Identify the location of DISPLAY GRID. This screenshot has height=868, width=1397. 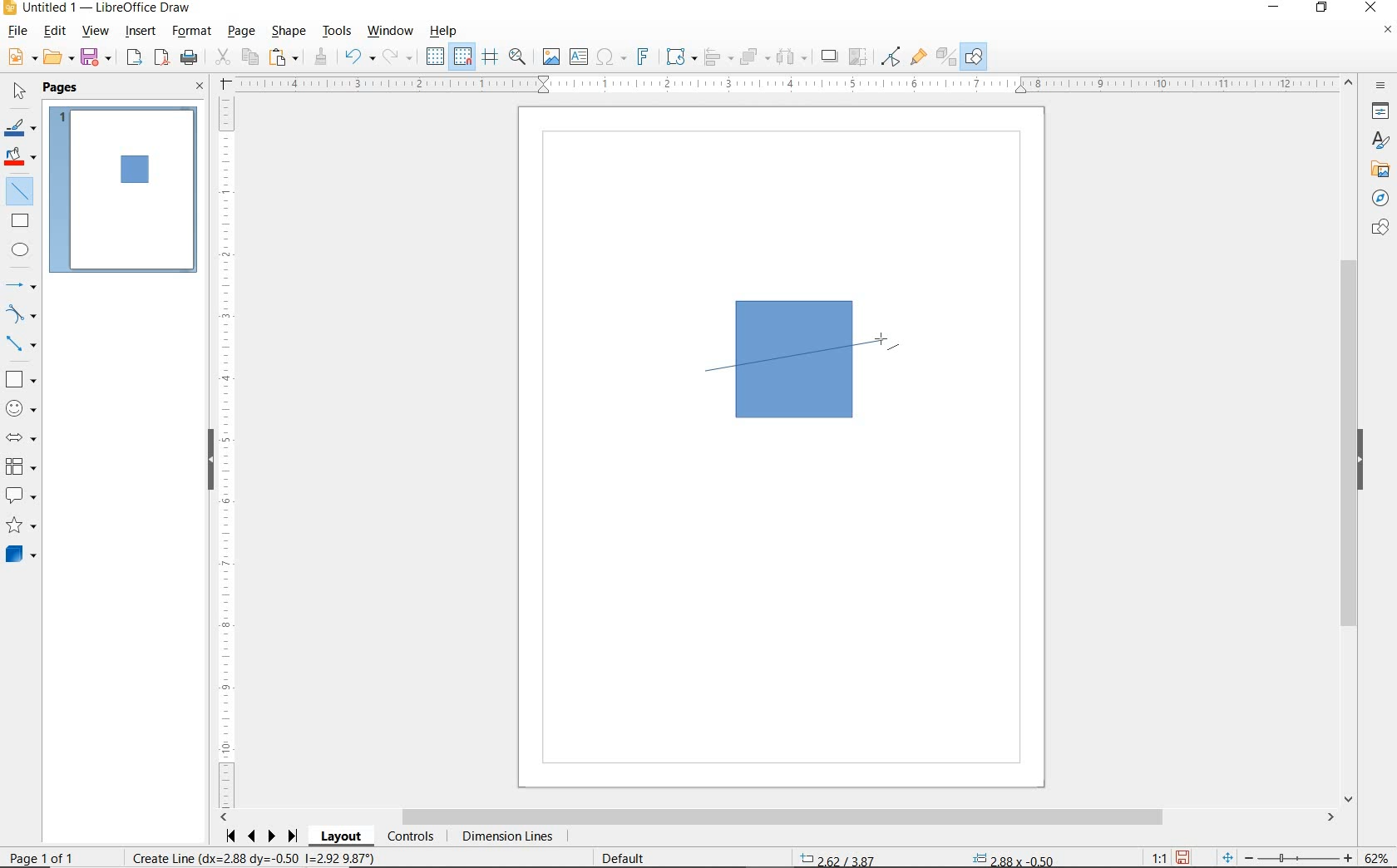
(437, 57).